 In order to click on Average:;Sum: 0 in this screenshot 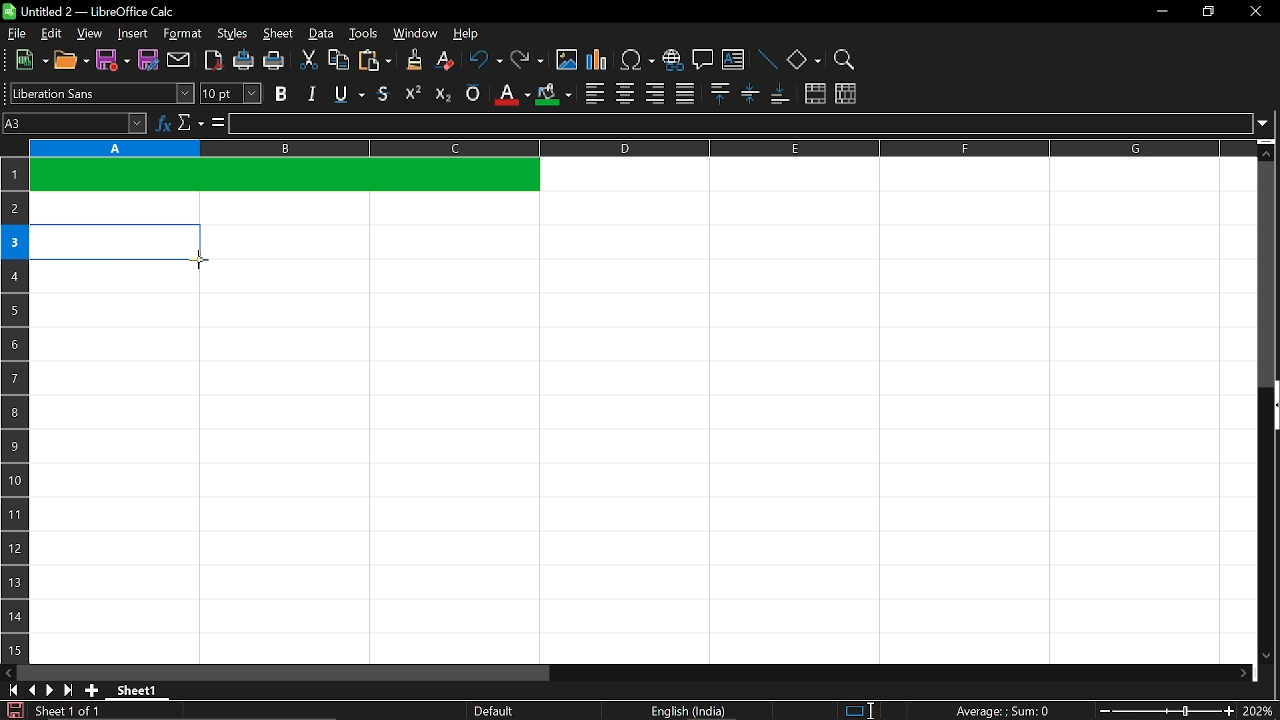, I will do `click(1002, 710)`.